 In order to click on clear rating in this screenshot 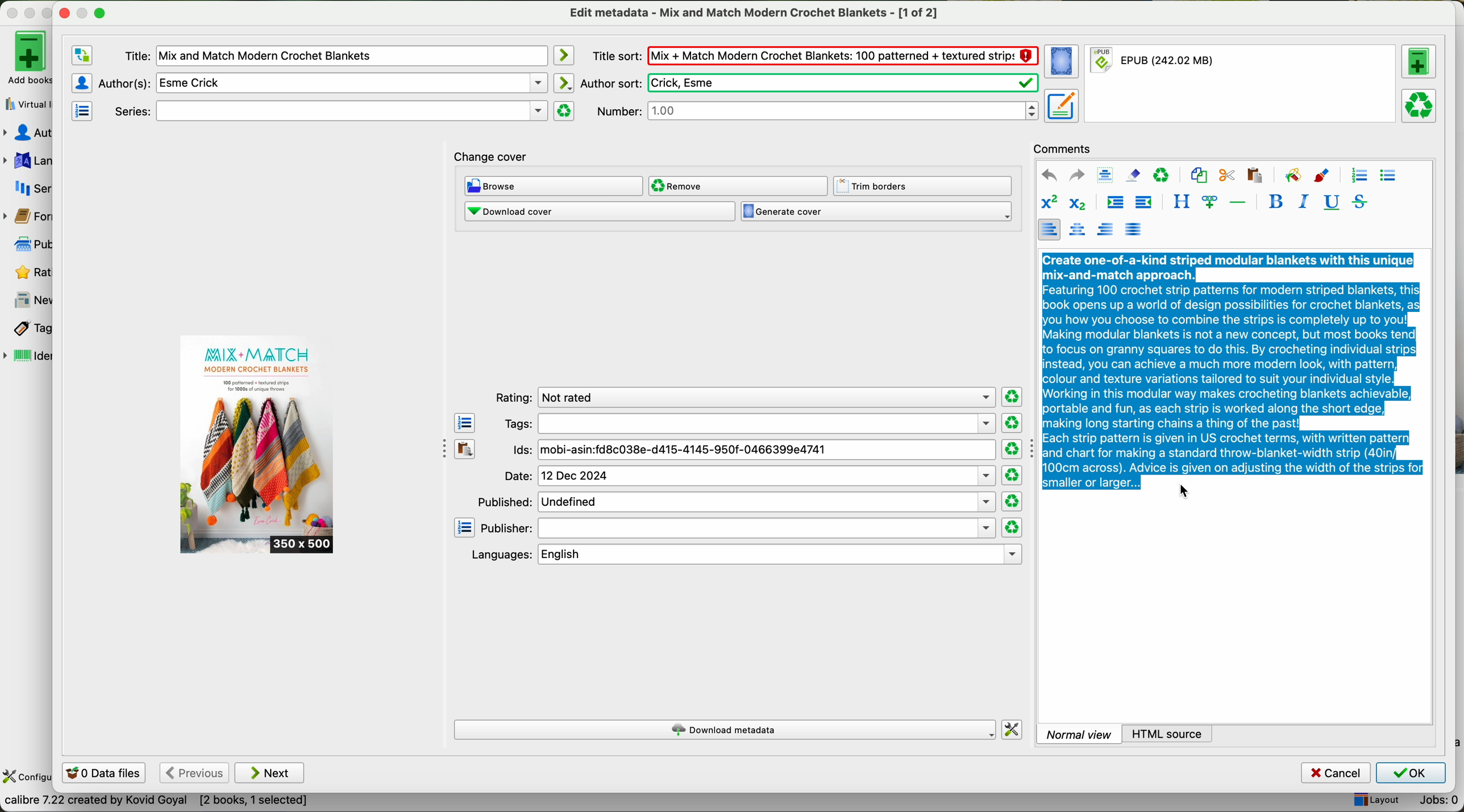, I will do `click(1012, 449)`.